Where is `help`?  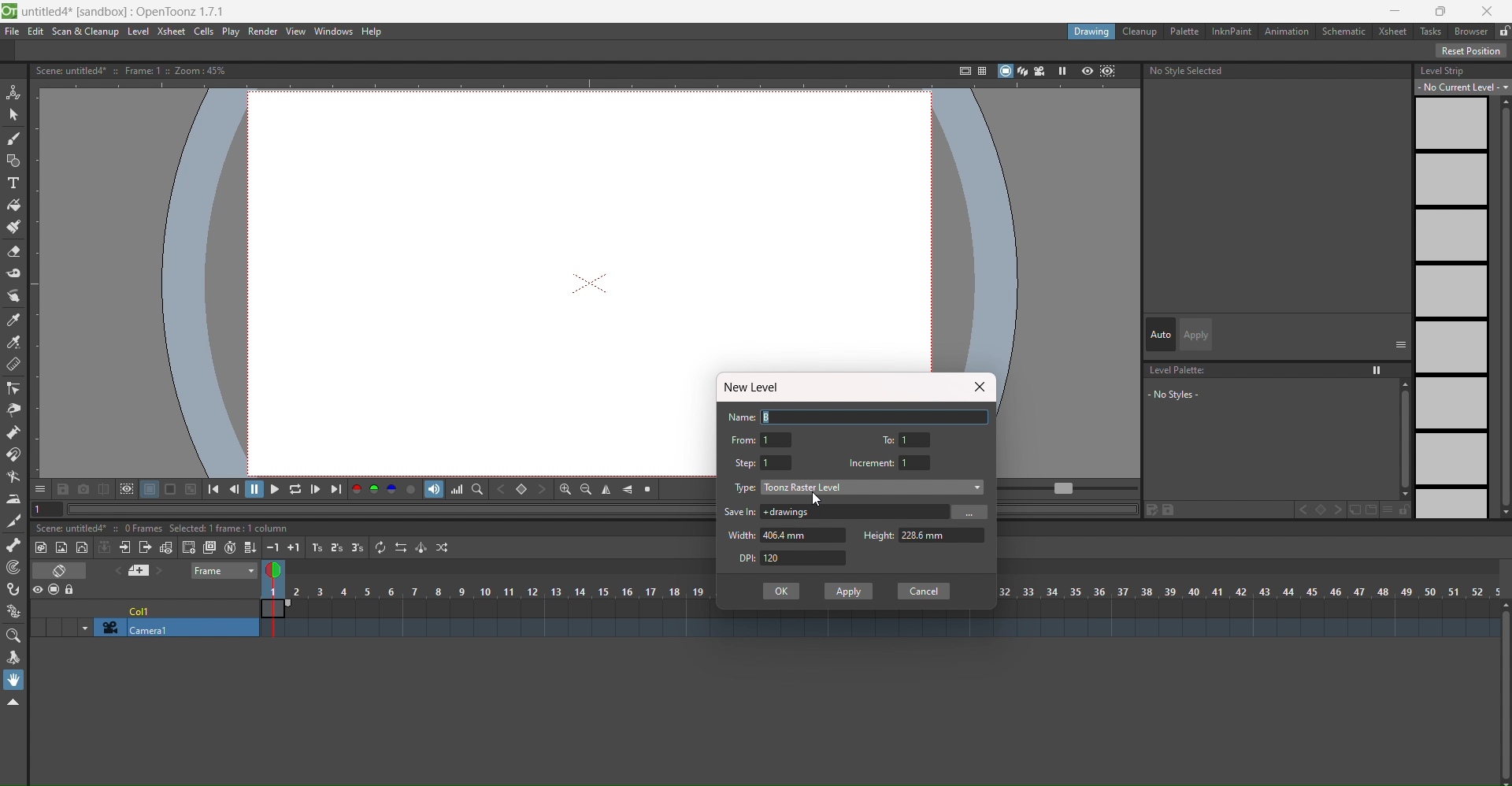
help is located at coordinates (376, 32).